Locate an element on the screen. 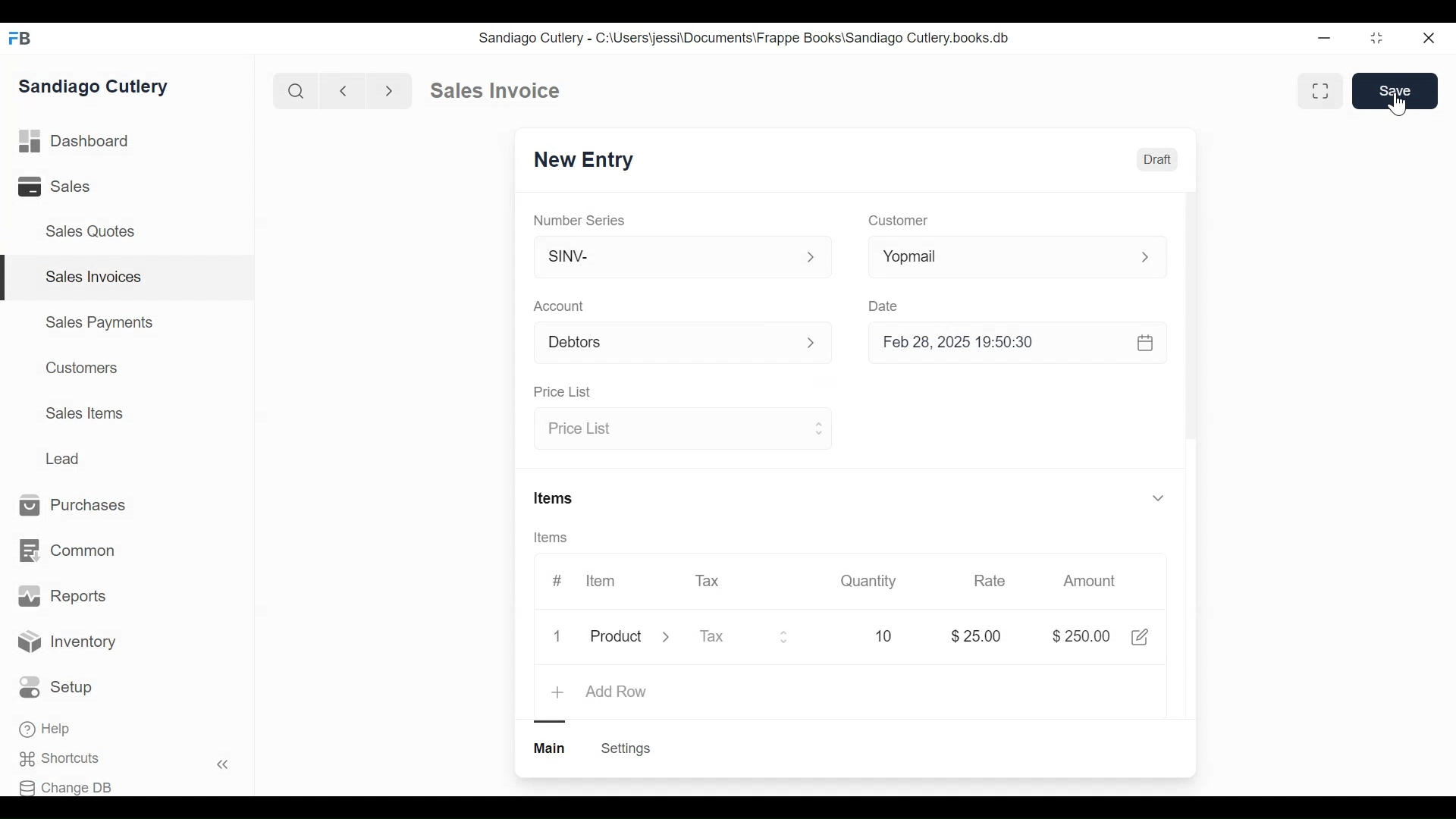 The width and height of the screenshot is (1456, 819). SINV- is located at coordinates (681, 260).